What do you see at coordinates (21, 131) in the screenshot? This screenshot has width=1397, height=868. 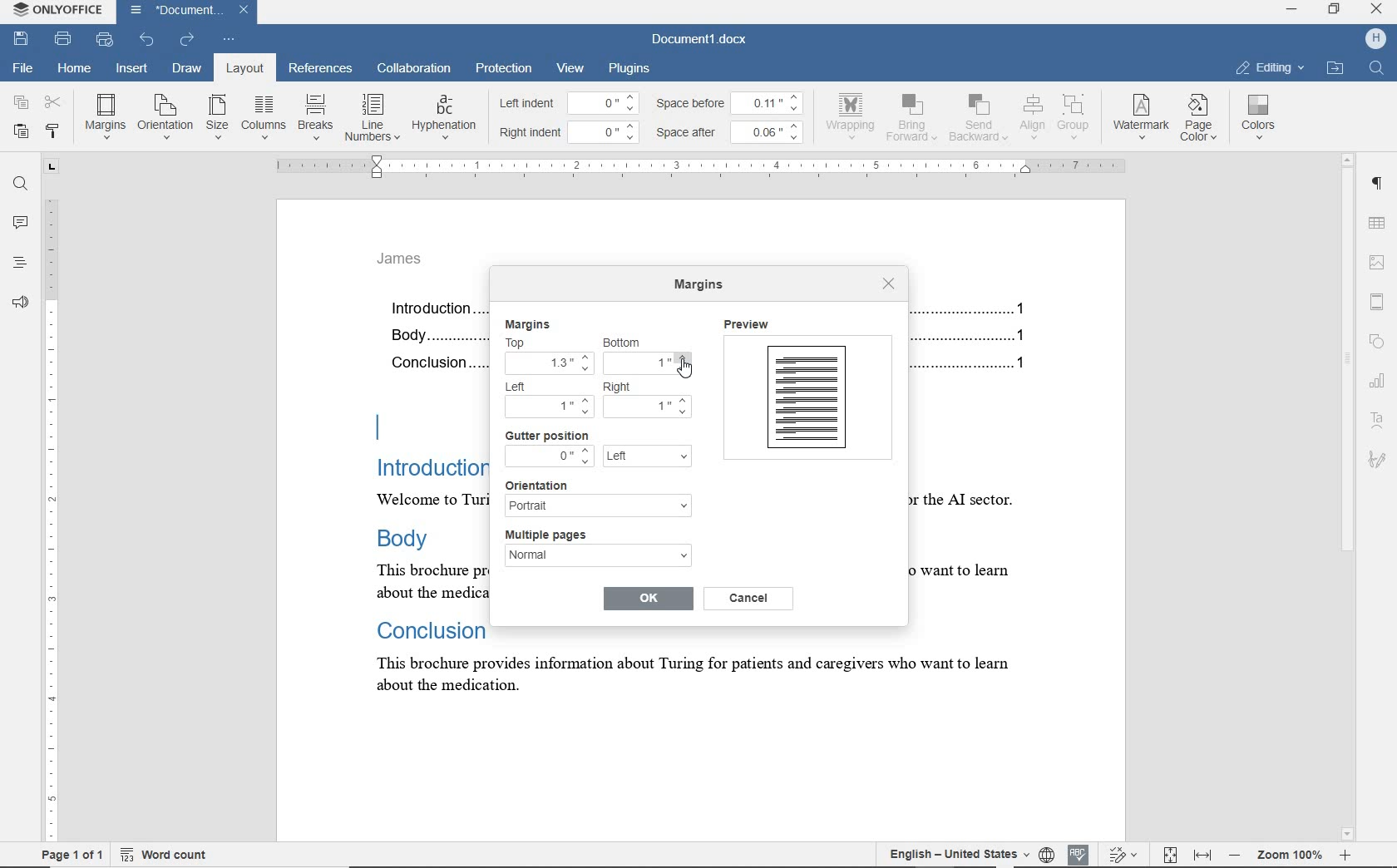 I see `paste` at bounding box center [21, 131].